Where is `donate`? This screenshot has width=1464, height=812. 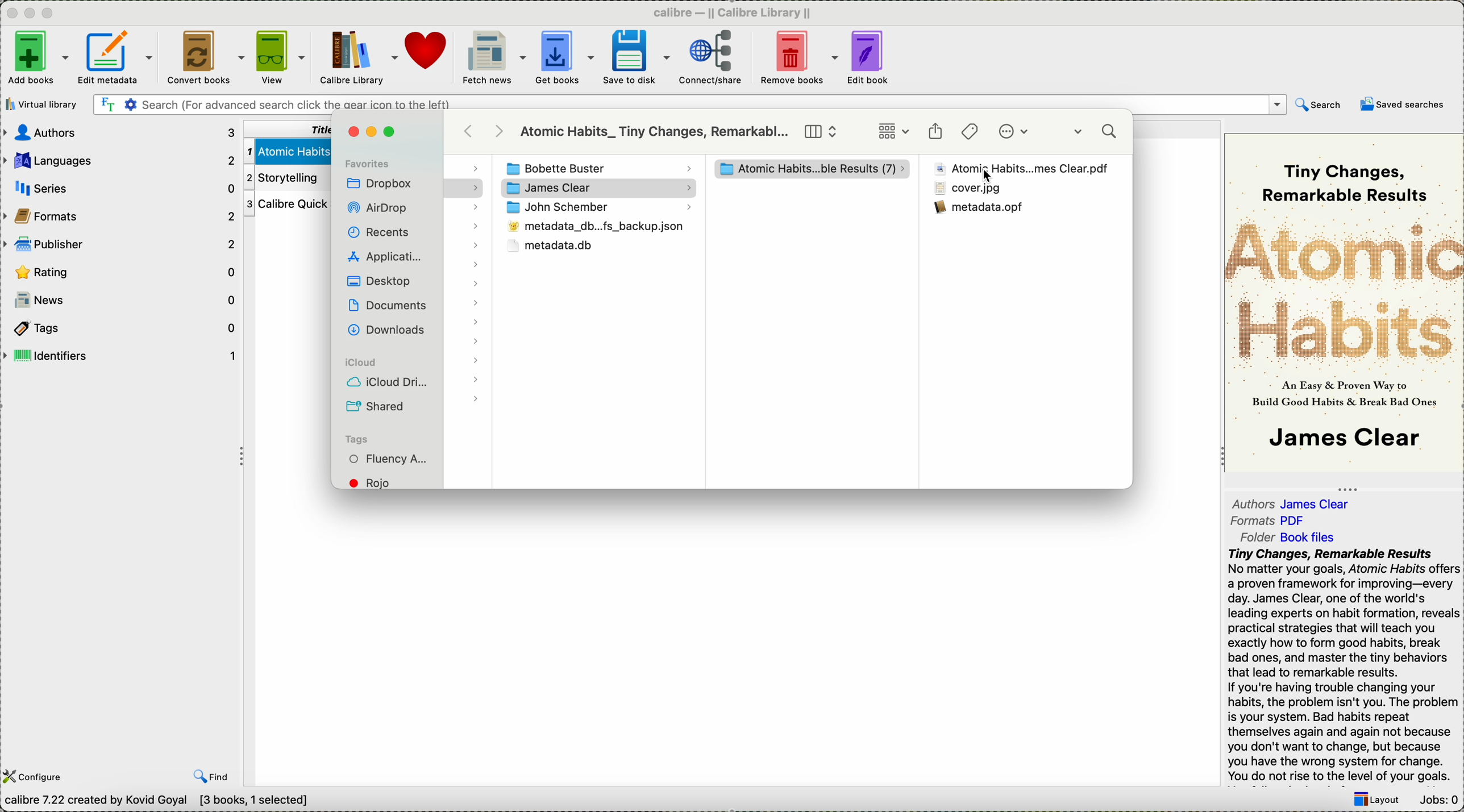 donate is located at coordinates (427, 51).